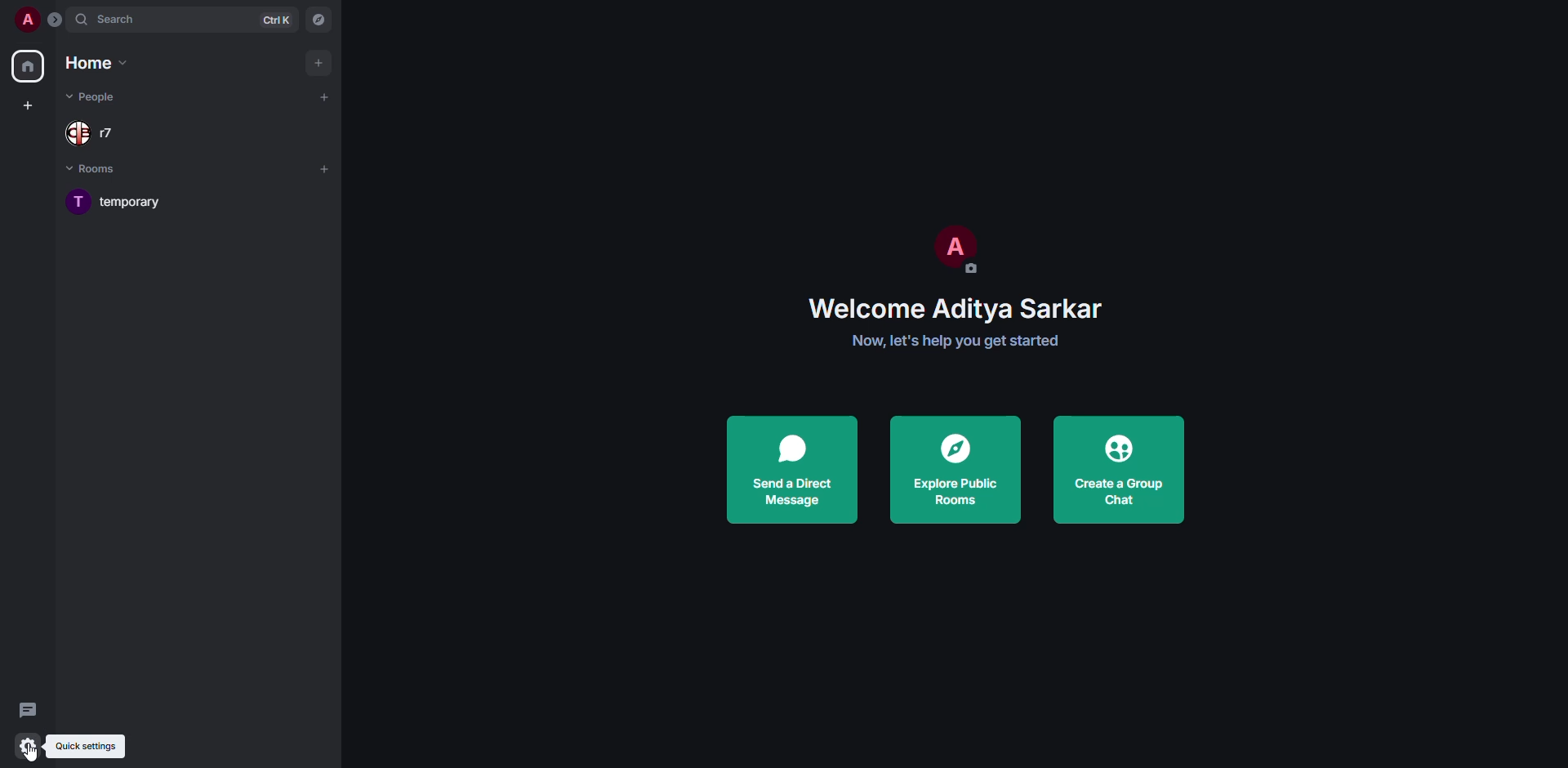 The image size is (1568, 768). Describe the element at coordinates (24, 20) in the screenshot. I see `profile` at that location.